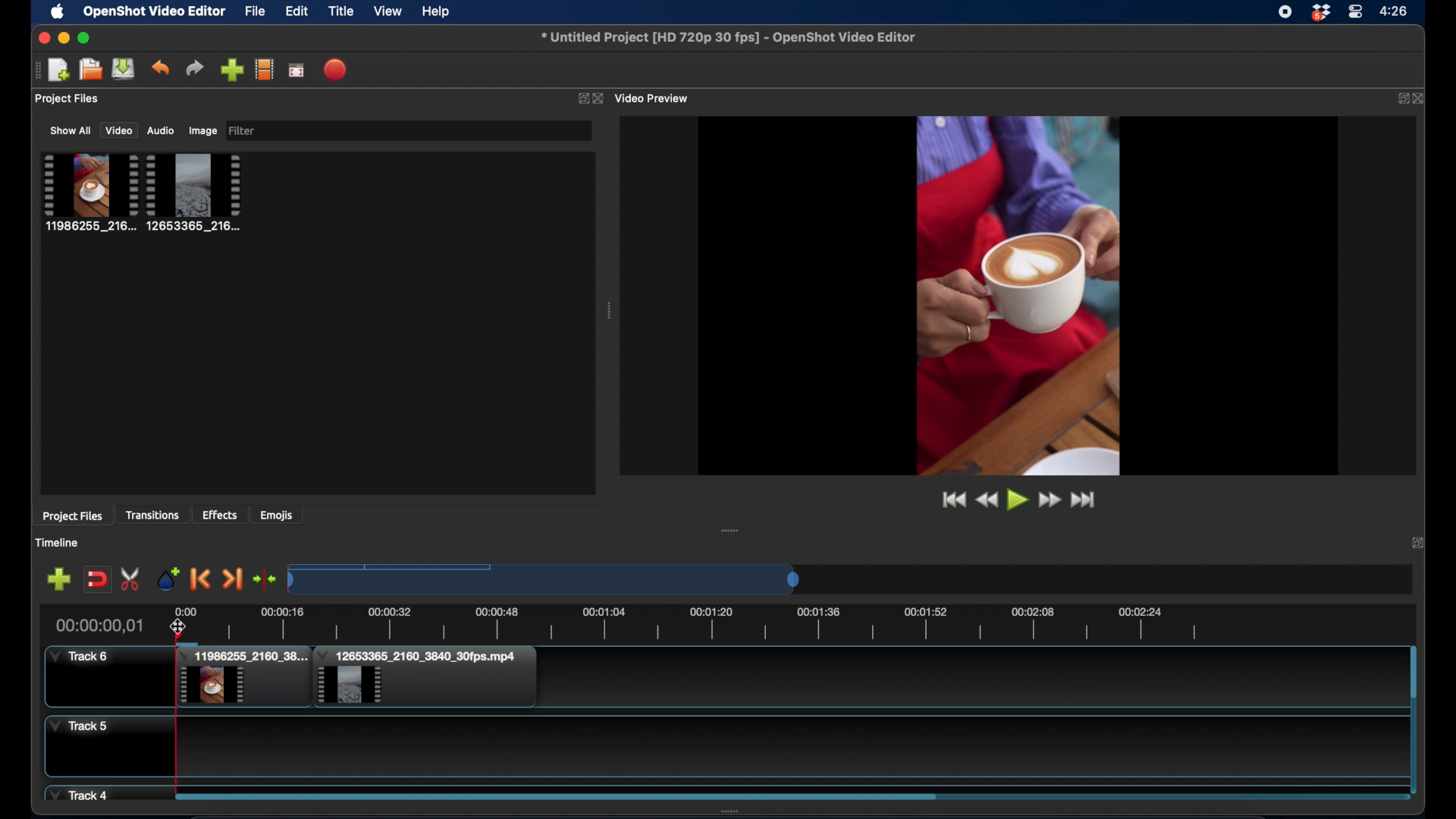 This screenshot has height=819, width=1456. What do you see at coordinates (81, 793) in the screenshot?
I see `track 4` at bounding box center [81, 793].